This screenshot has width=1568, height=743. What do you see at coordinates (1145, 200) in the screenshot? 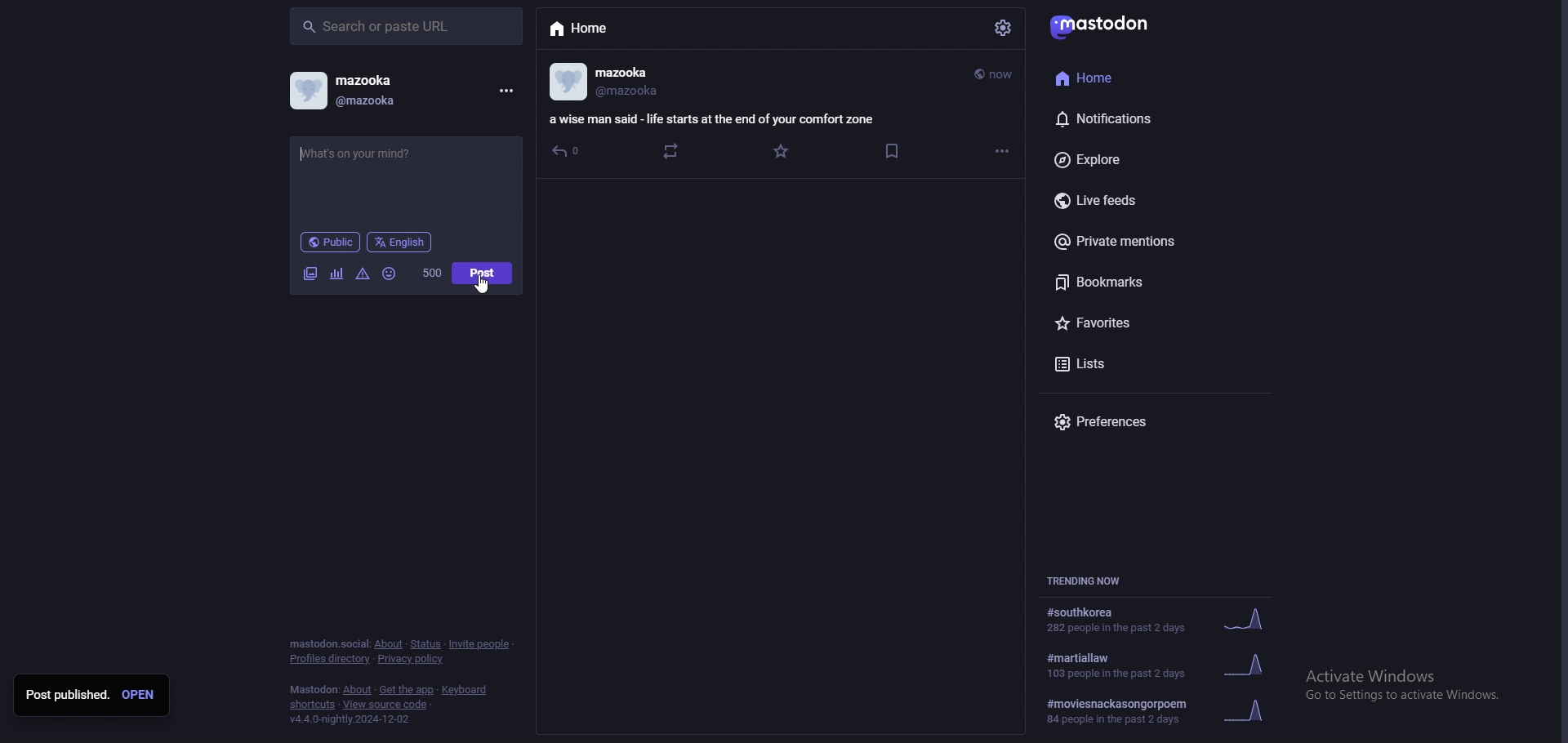
I see `live feeds` at bounding box center [1145, 200].